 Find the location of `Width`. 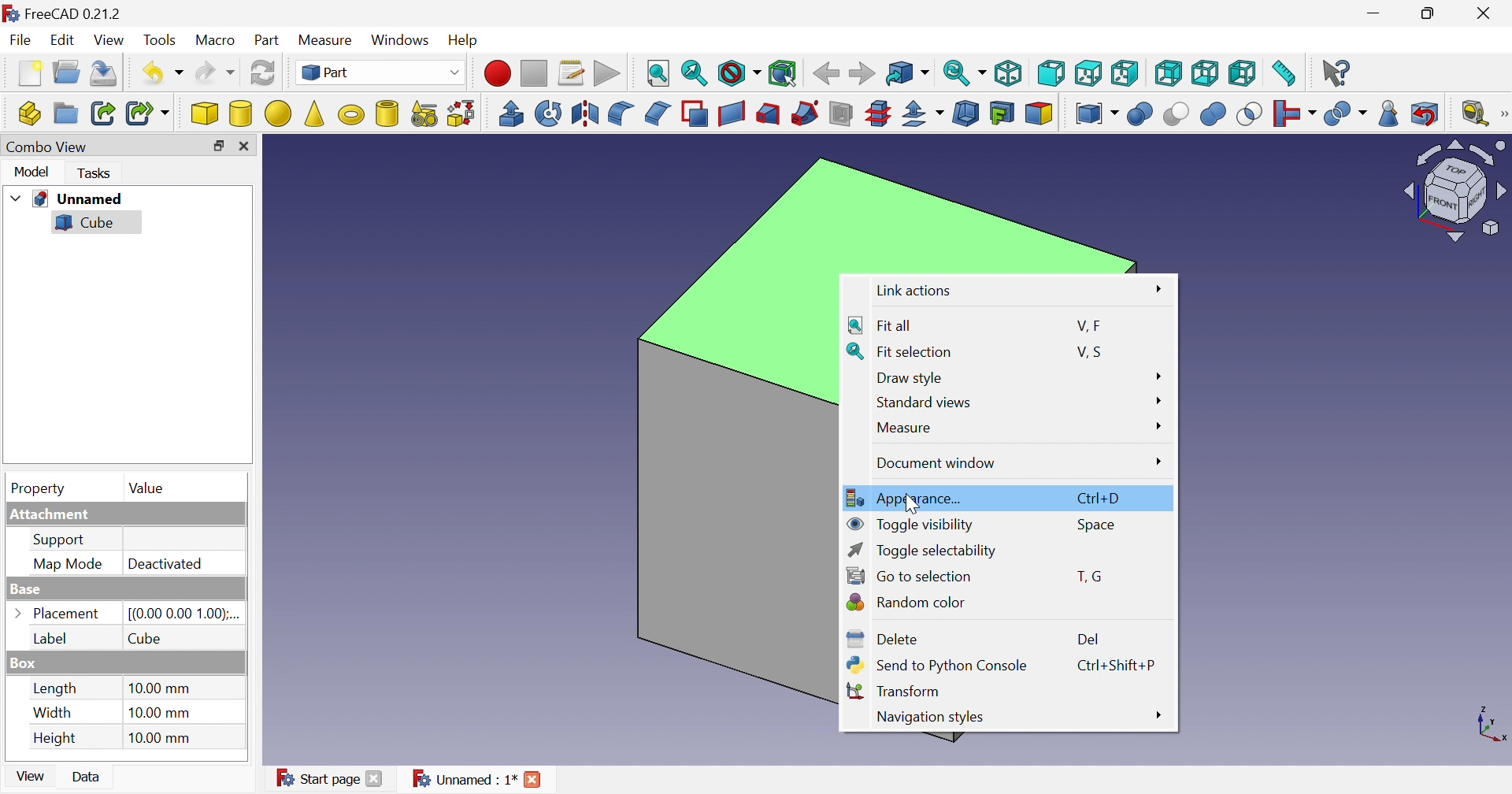

Width is located at coordinates (53, 714).